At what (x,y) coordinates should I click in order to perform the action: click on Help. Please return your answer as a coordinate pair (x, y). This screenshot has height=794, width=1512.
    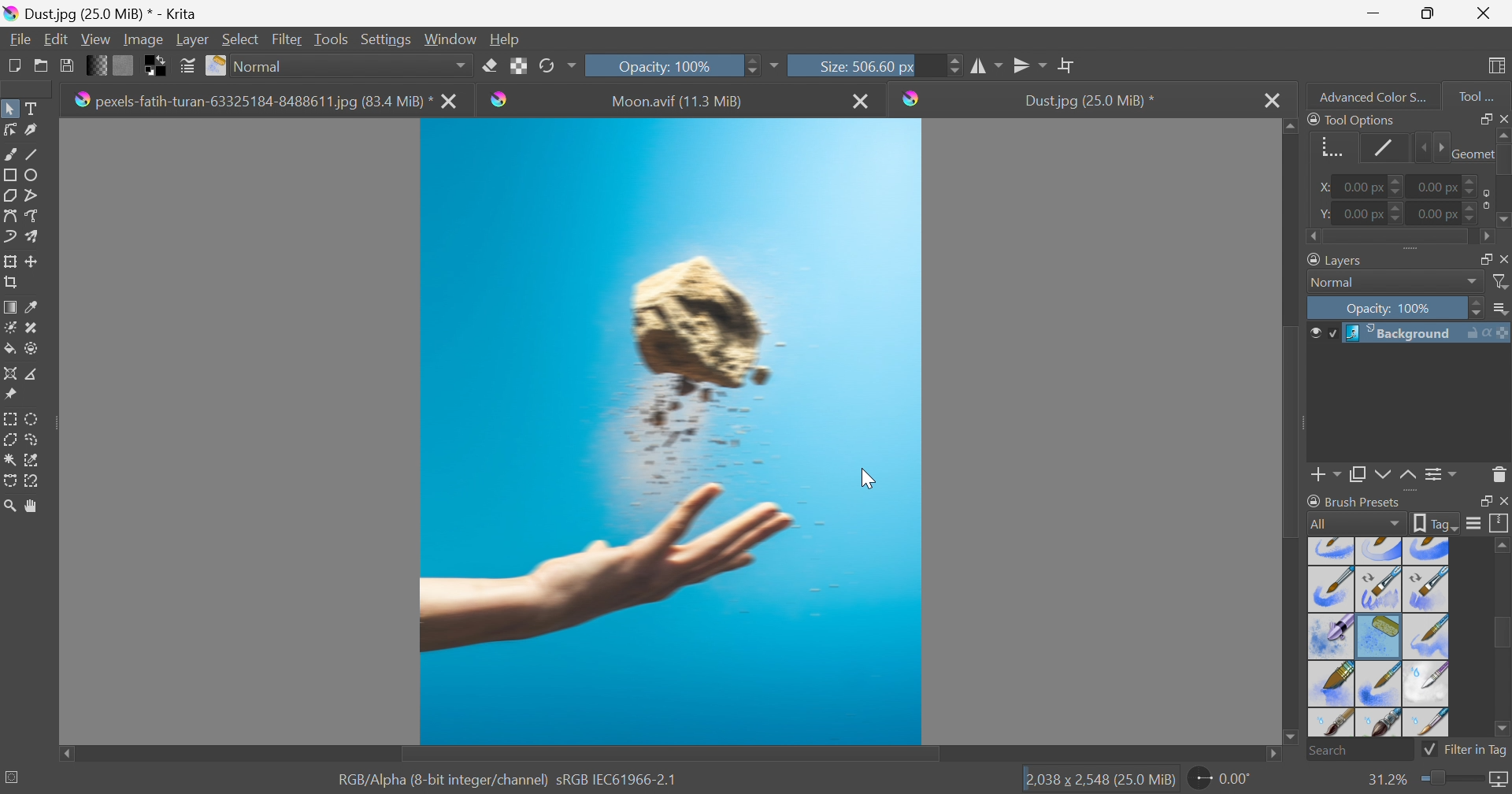
    Looking at the image, I should click on (506, 39).